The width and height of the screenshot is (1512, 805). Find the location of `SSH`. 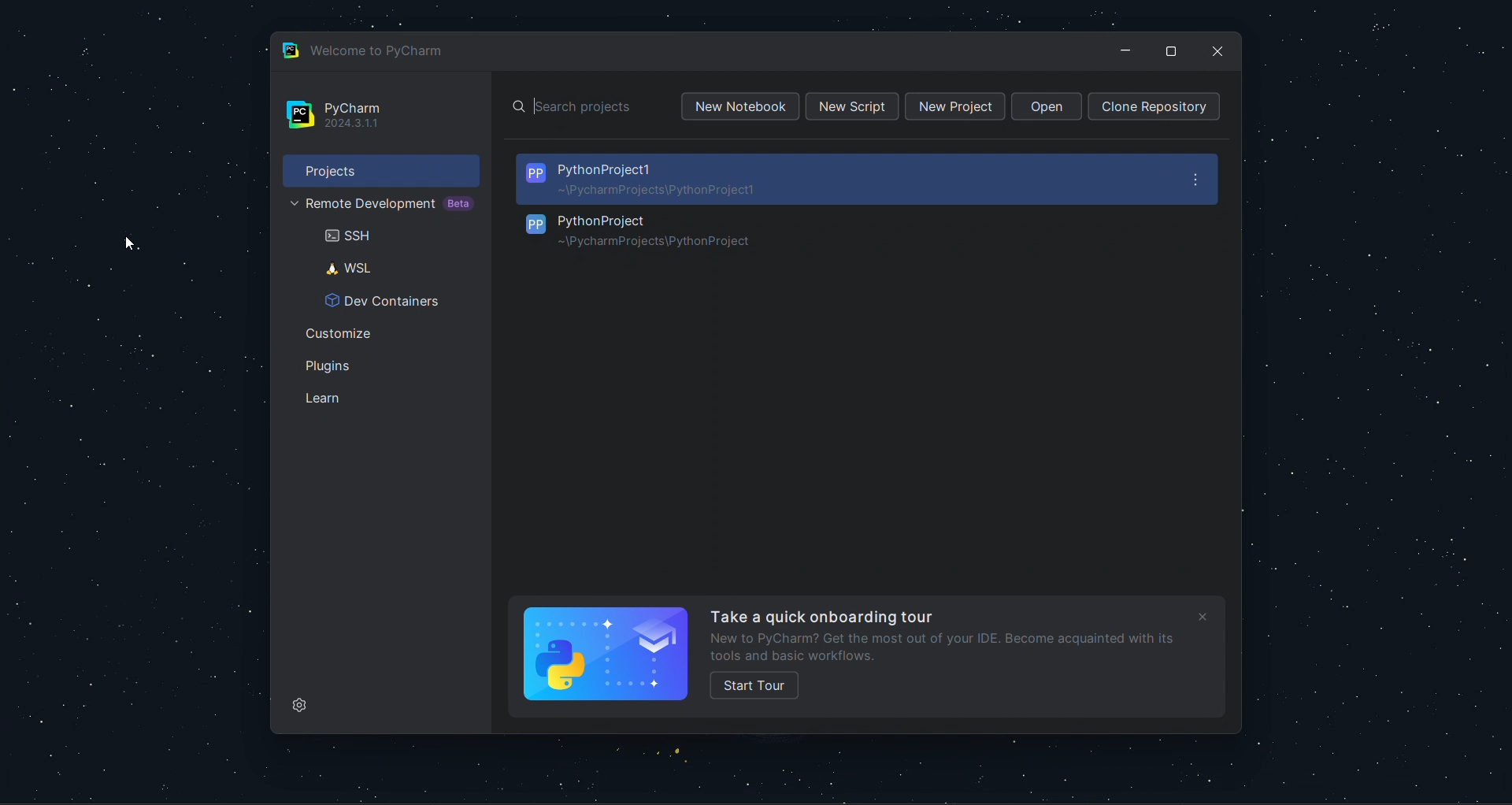

SSH is located at coordinates (384, 236).